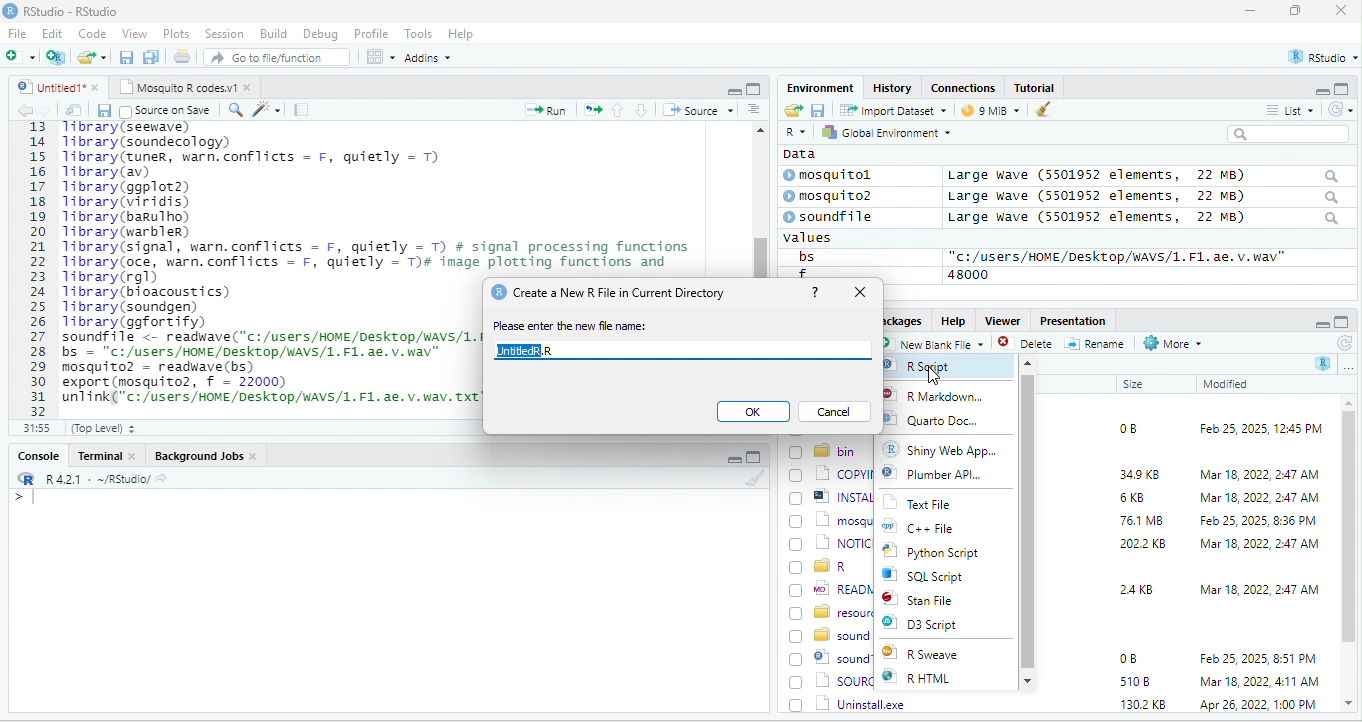 The height and width of the screenshot is (722, 1362). What do you see at coordinates (1260, 706) in the screenshot?
I see `Apr 26, 2022, 1:00 PM` at bounding box center [1260, 706].